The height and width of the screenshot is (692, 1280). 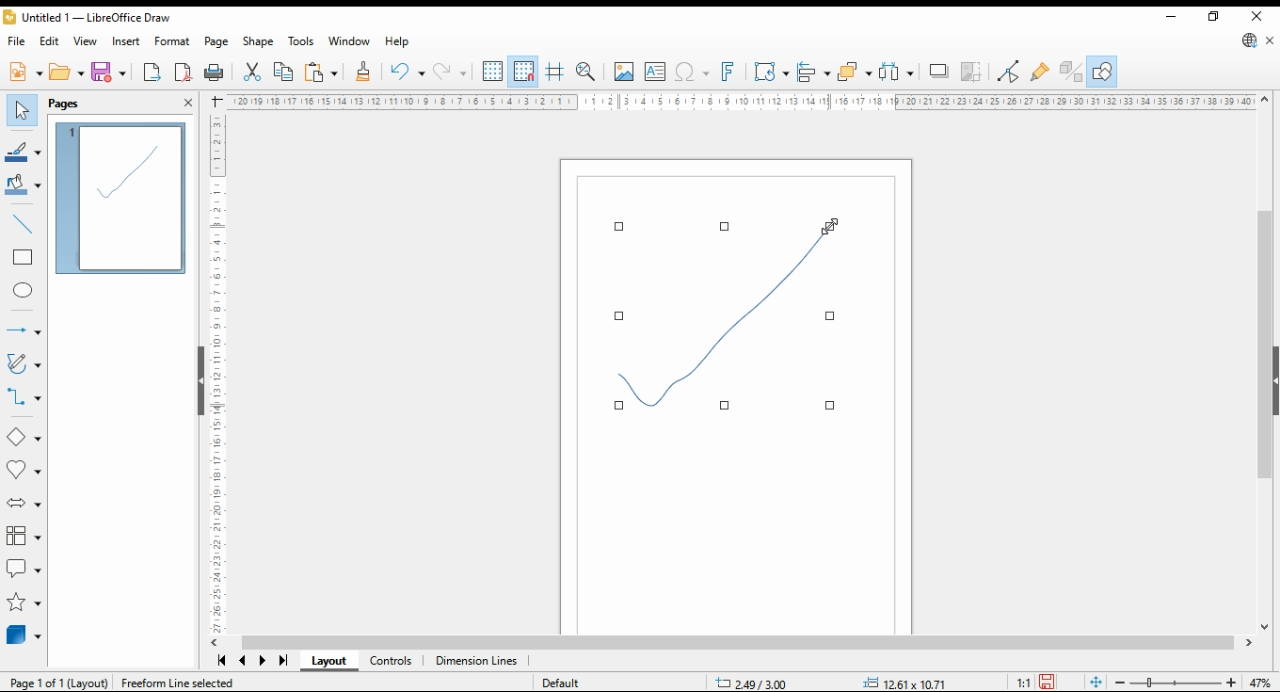 What do you see at coordinates (829, 229) in the screenshot?
I see `mouse pointer` at bounding box center [829, 229].